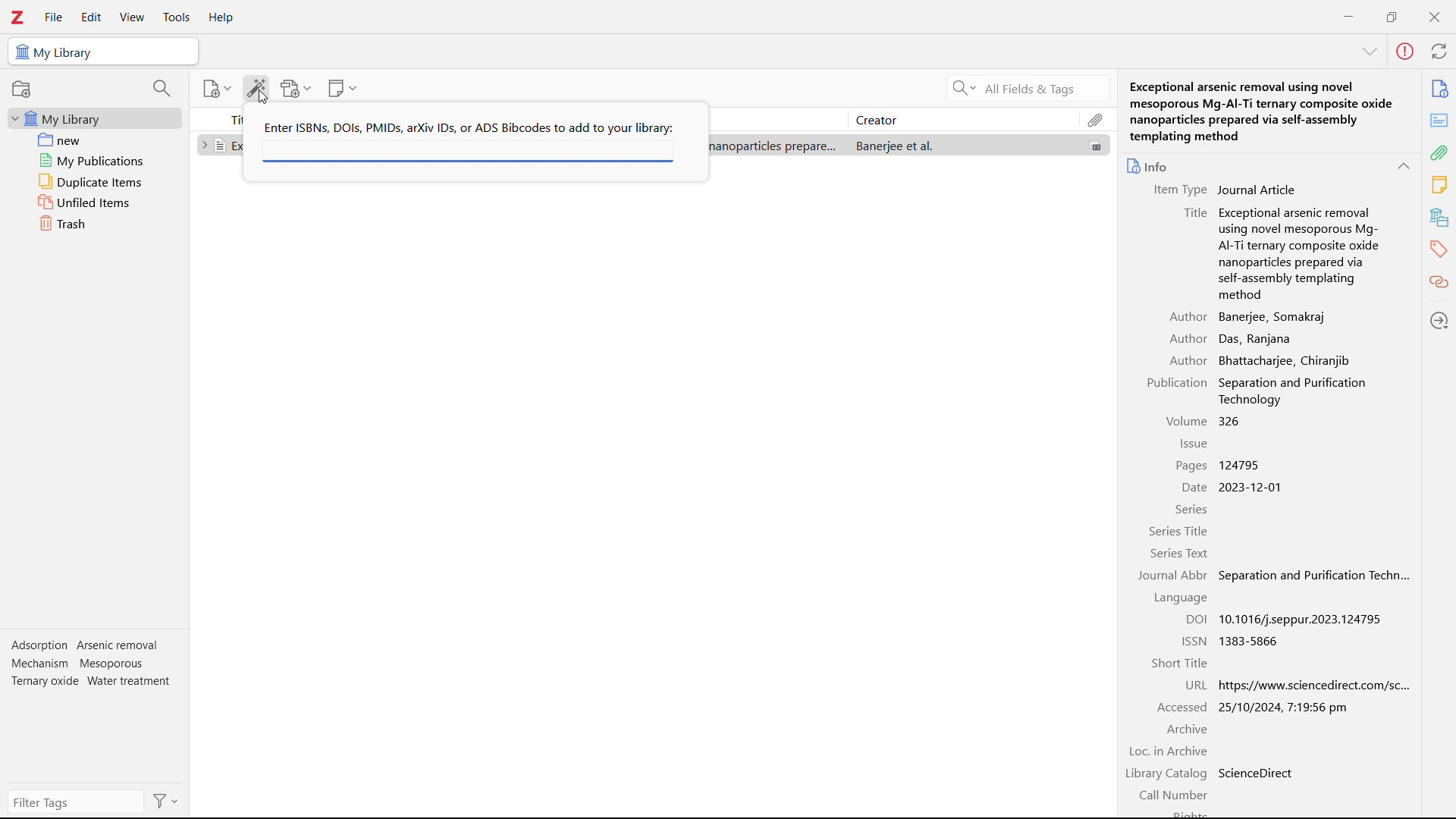 The width and height of the screenshot is (1456, 819). What do you see at coordinates (468, 127) in the screenshot?
I see `Enter ISBNs, DOIs, PMIDs and ARXIV ids or ADS biocodes to add to your library` at bounding box center [468, 127].